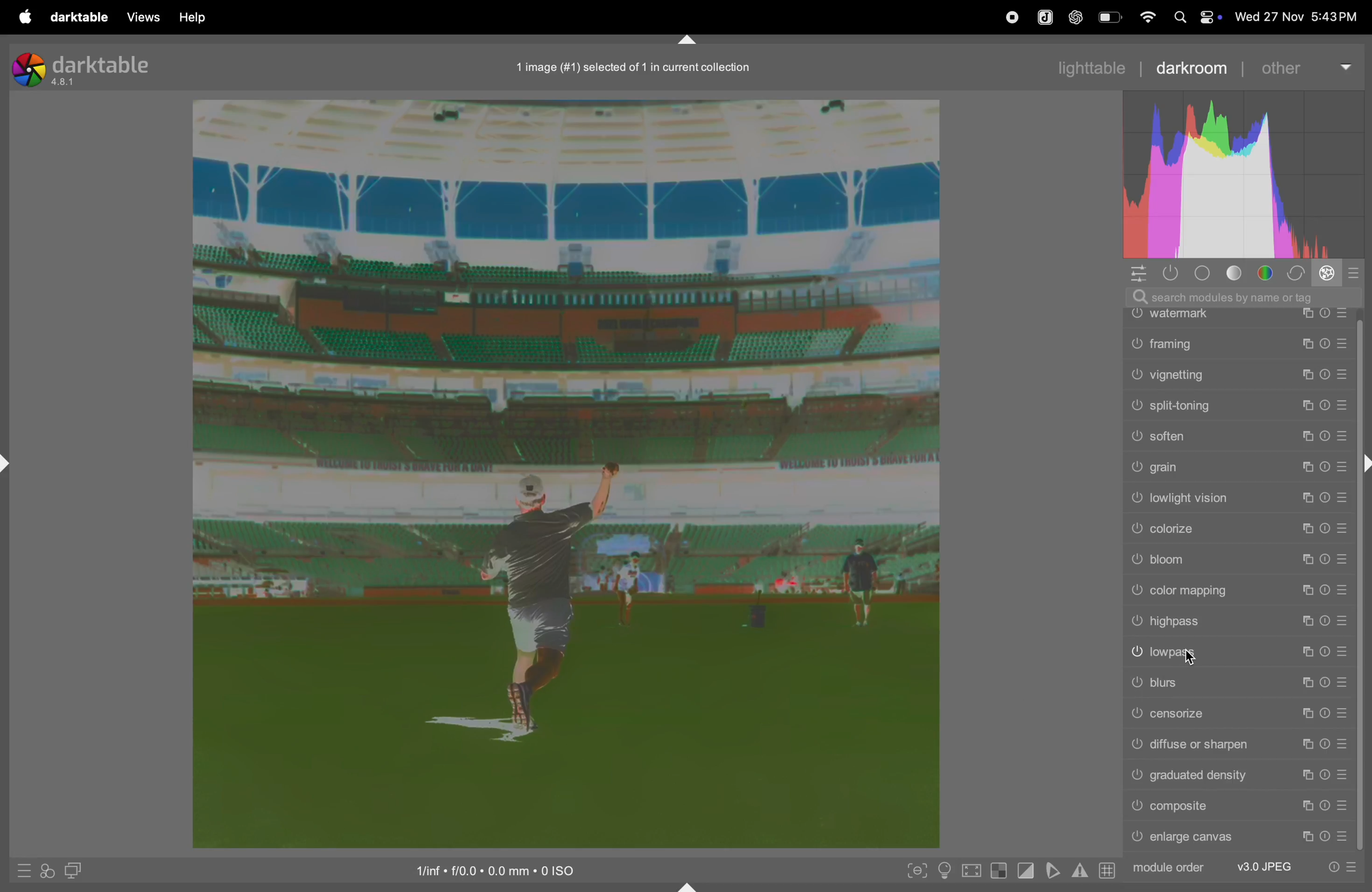  Describe the element at coordinates (1240, 776) in the screenshot. I see `graduated density` at that location.